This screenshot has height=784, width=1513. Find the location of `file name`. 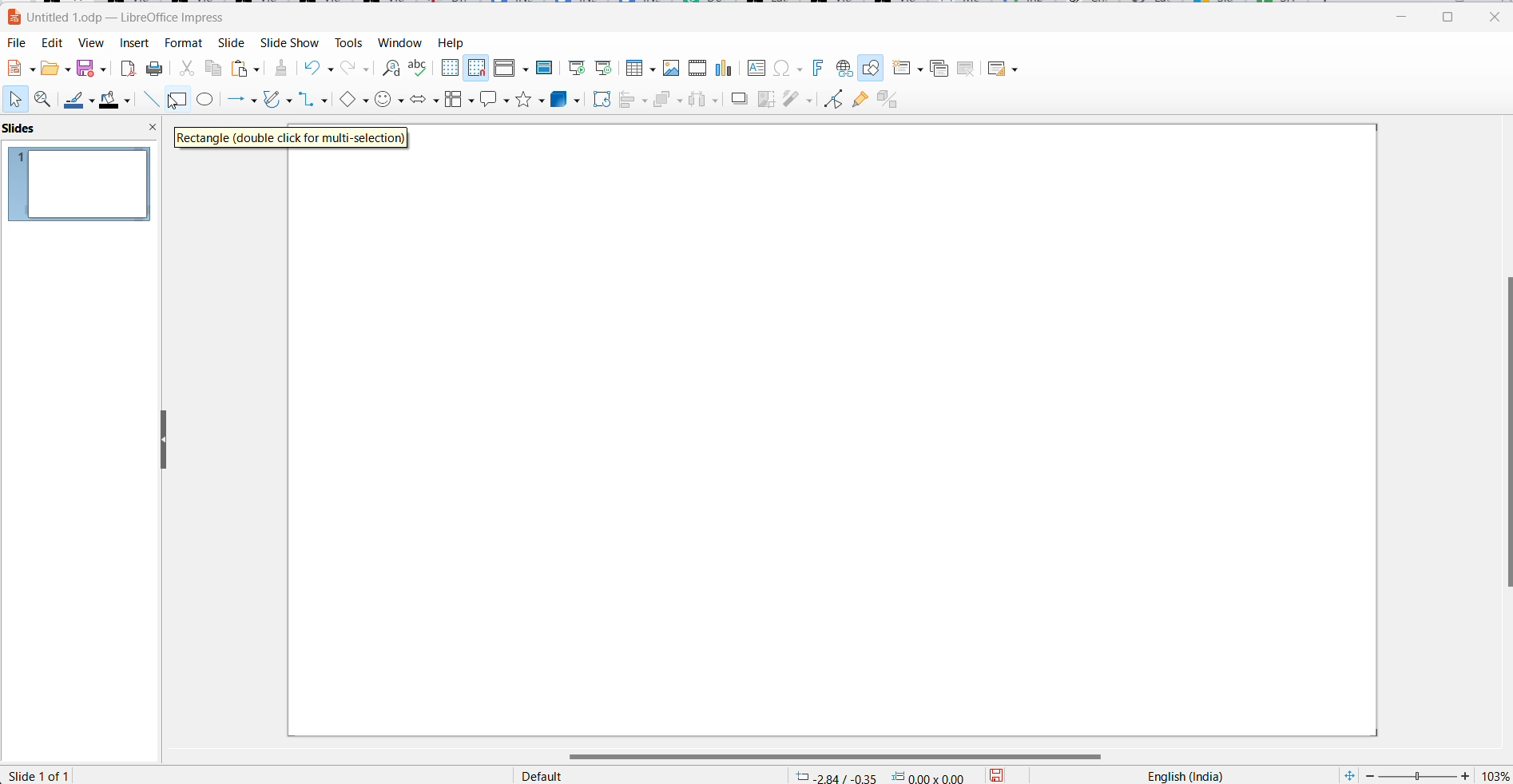

file name is located at coordinates (117, 16).